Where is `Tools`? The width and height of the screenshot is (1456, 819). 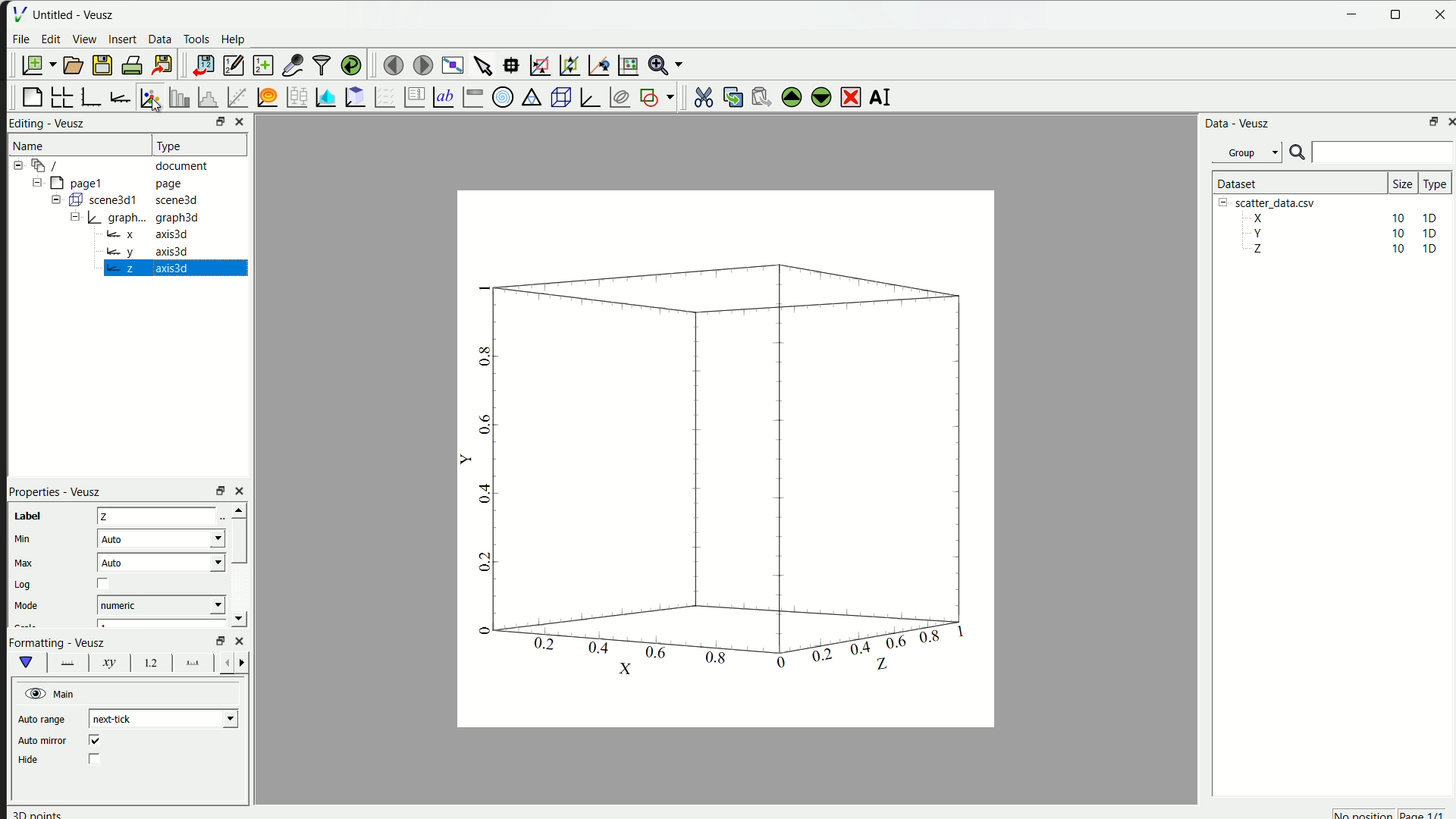 Tools is located at coordinates (196, 38).